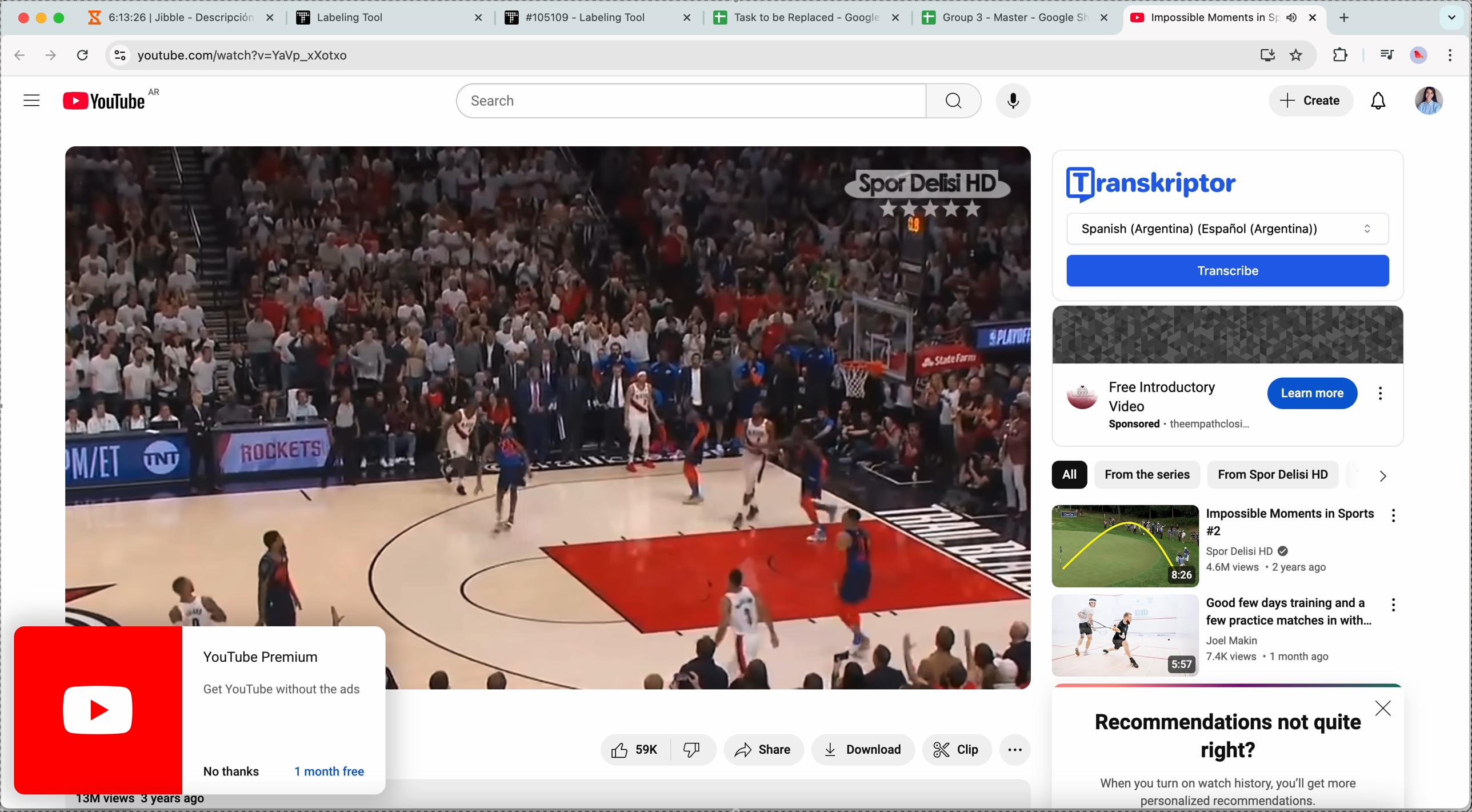 Image resolution: width=1472 pixels, height=812 pixels. Describe the element at coordinates (82, 55) in the screenshot. I see `refresh the page` at that location.